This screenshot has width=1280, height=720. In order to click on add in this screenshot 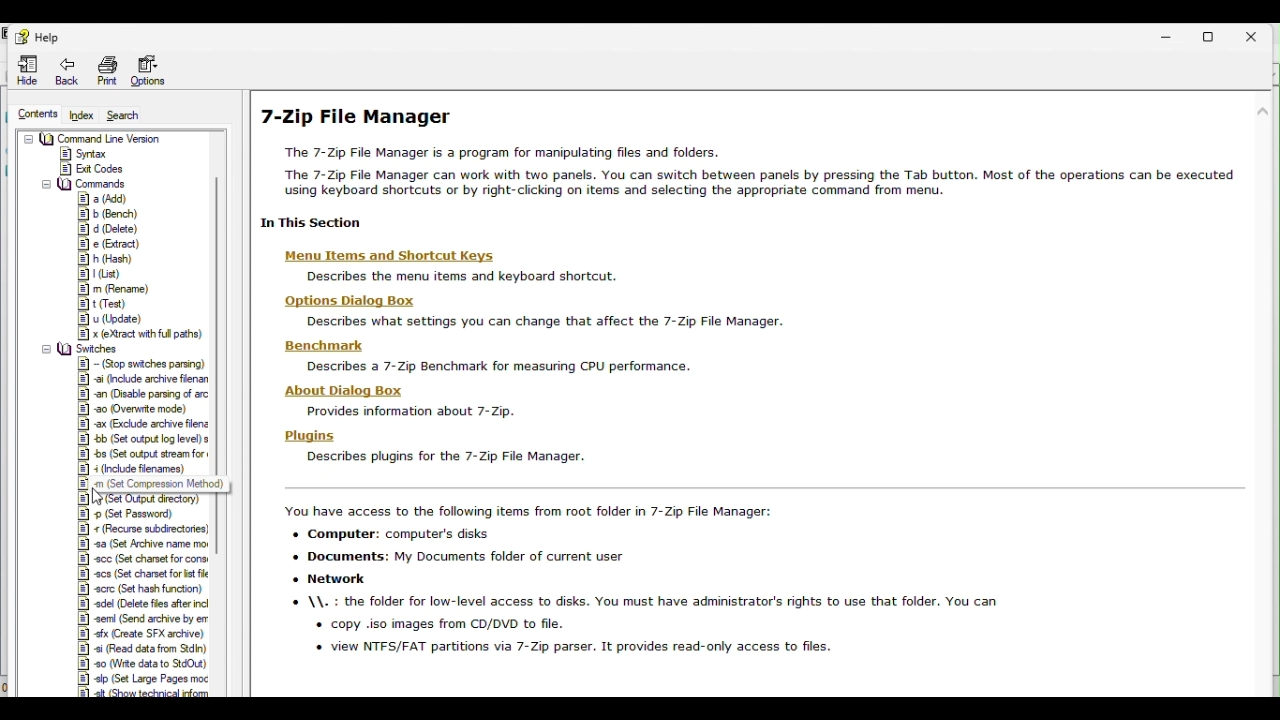, I will do `click(98, 199)`.